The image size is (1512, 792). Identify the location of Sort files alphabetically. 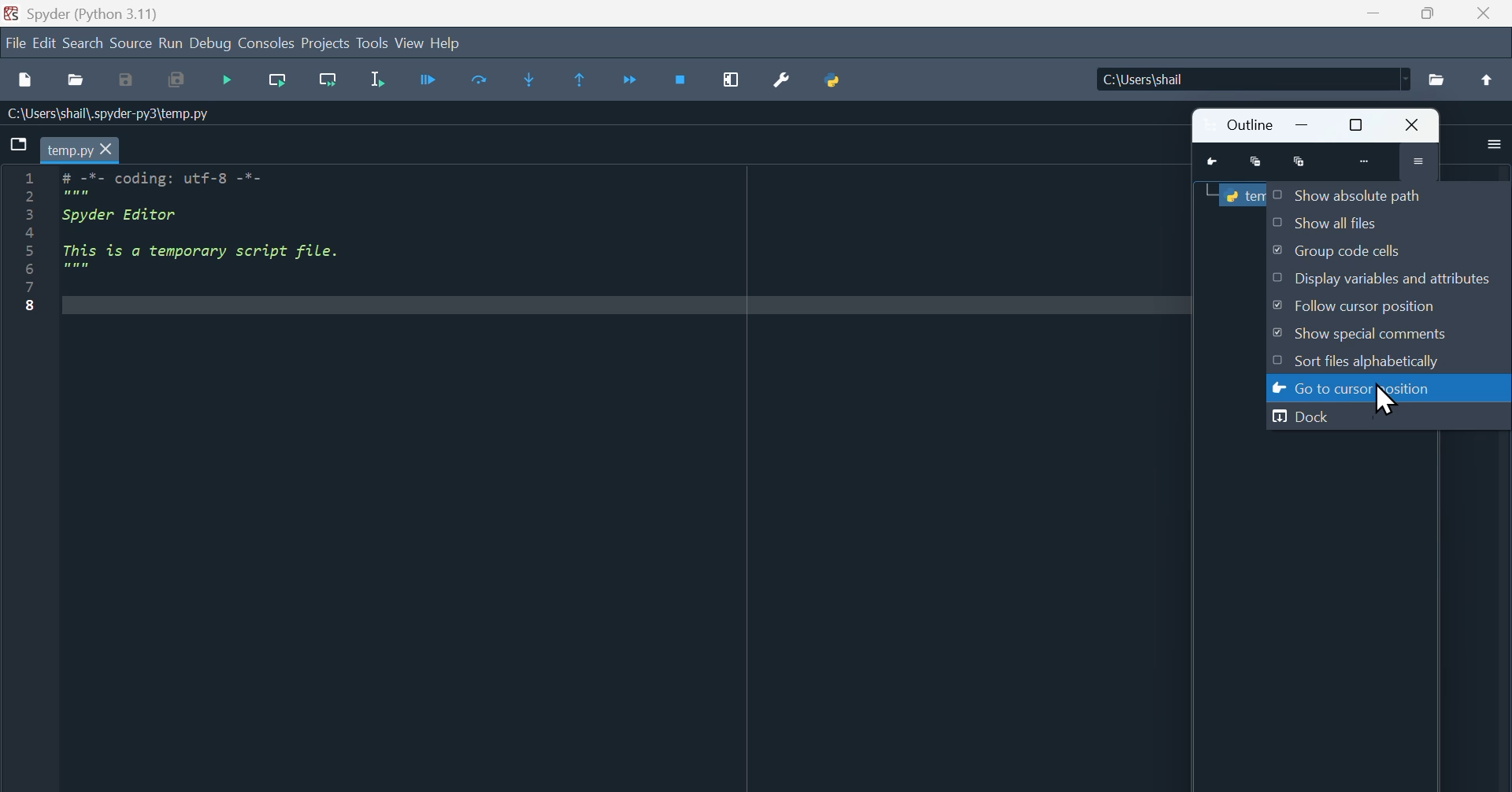
(1363, 360).